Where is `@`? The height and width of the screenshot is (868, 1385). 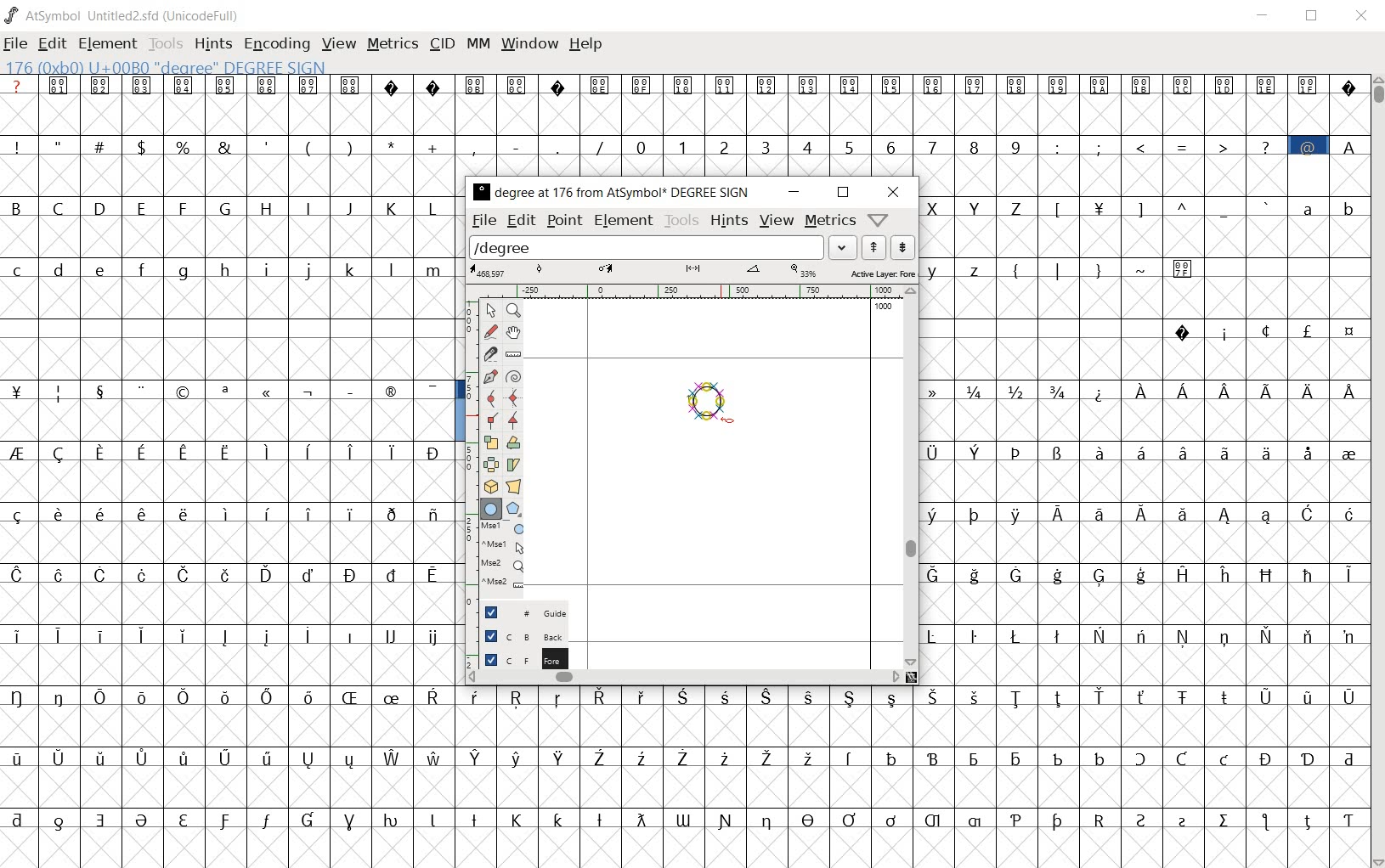
@ is located at coordinates (1310, 145).